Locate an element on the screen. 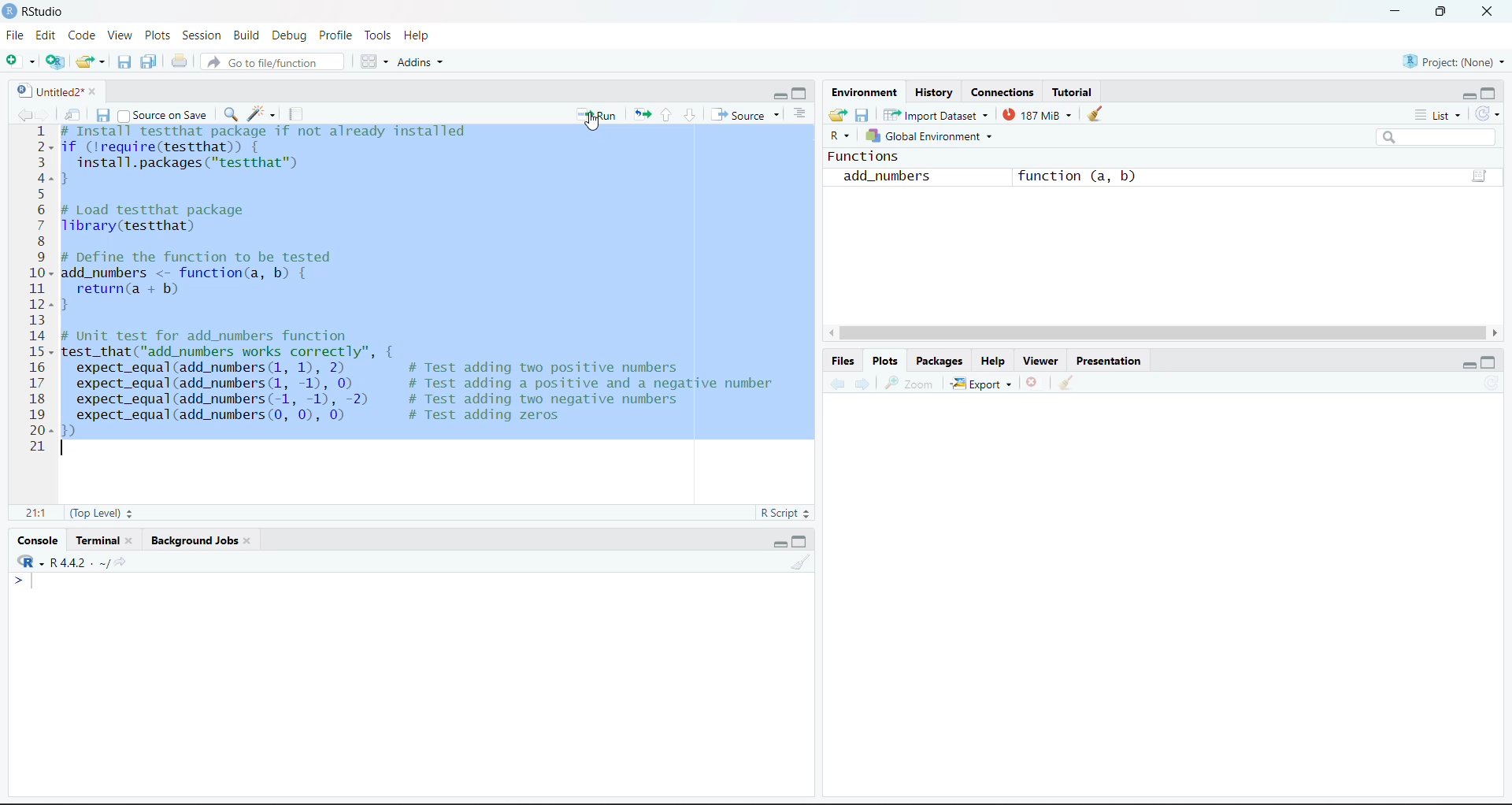  188 Mib is located at coordinates (1038, 115).